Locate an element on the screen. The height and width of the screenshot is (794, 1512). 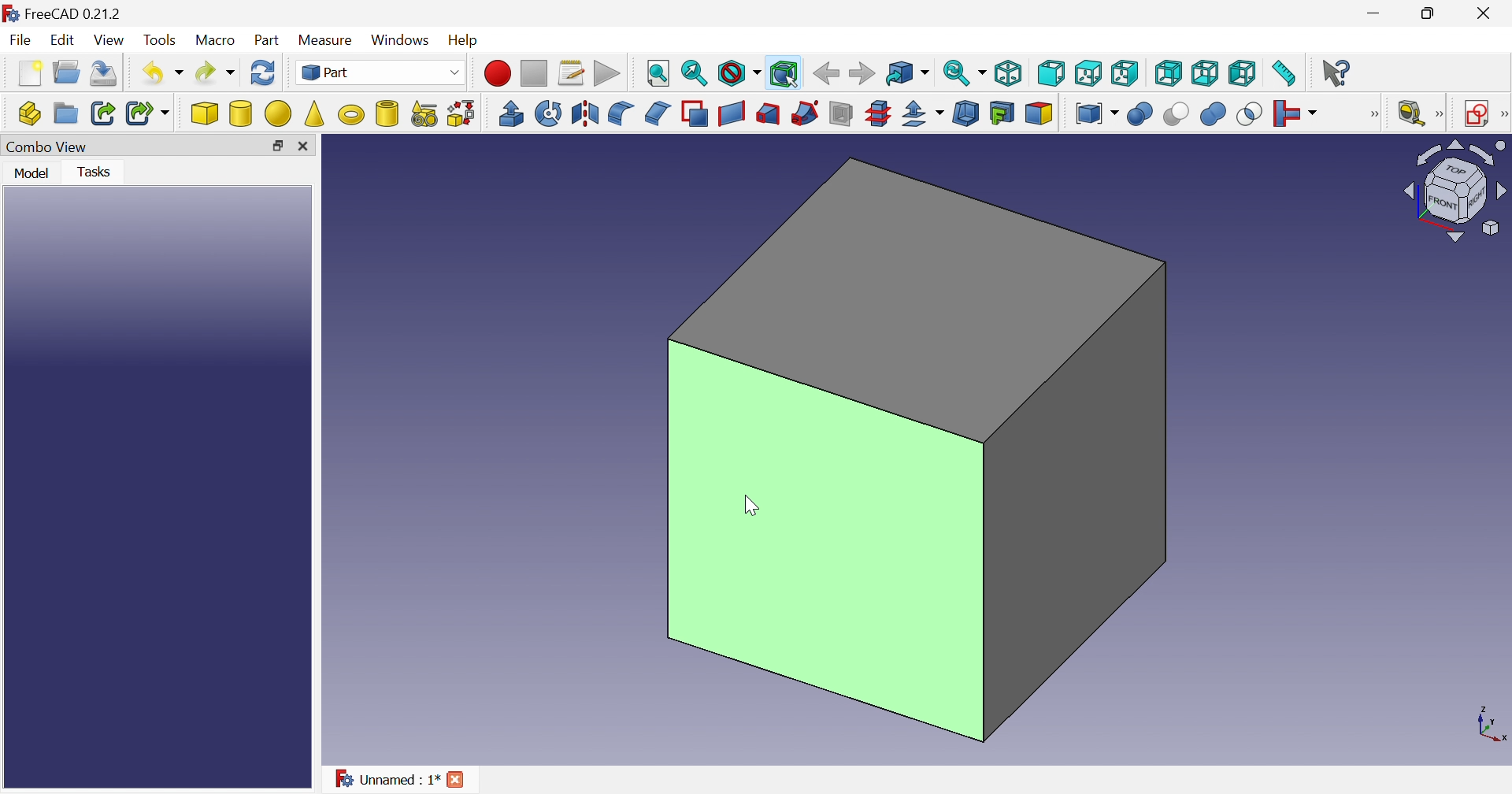
Close is located at coordinates (1483, 17).